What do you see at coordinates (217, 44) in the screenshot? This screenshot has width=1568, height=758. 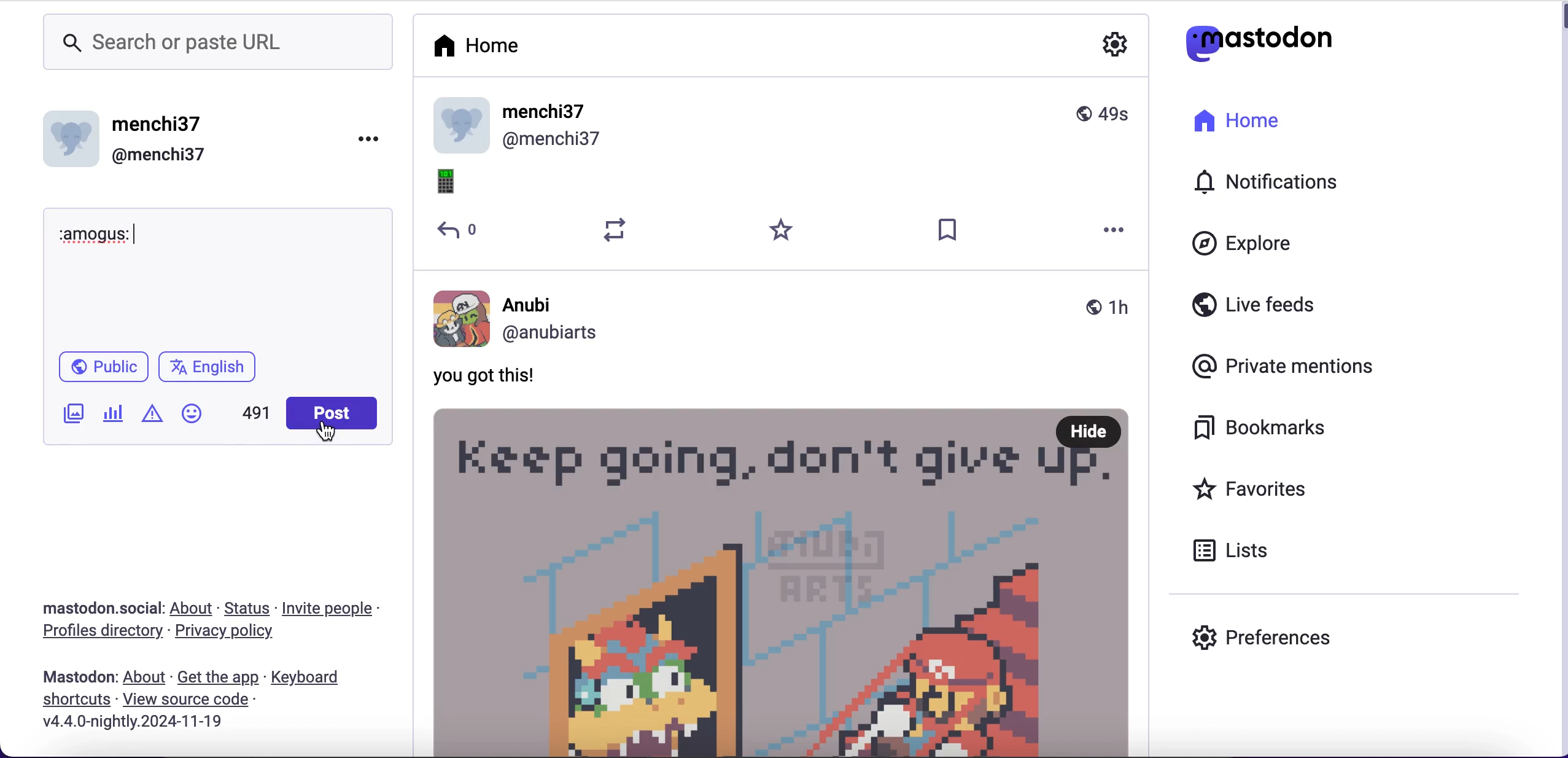 I see `search or paste url` at bounding box center [217, 44].